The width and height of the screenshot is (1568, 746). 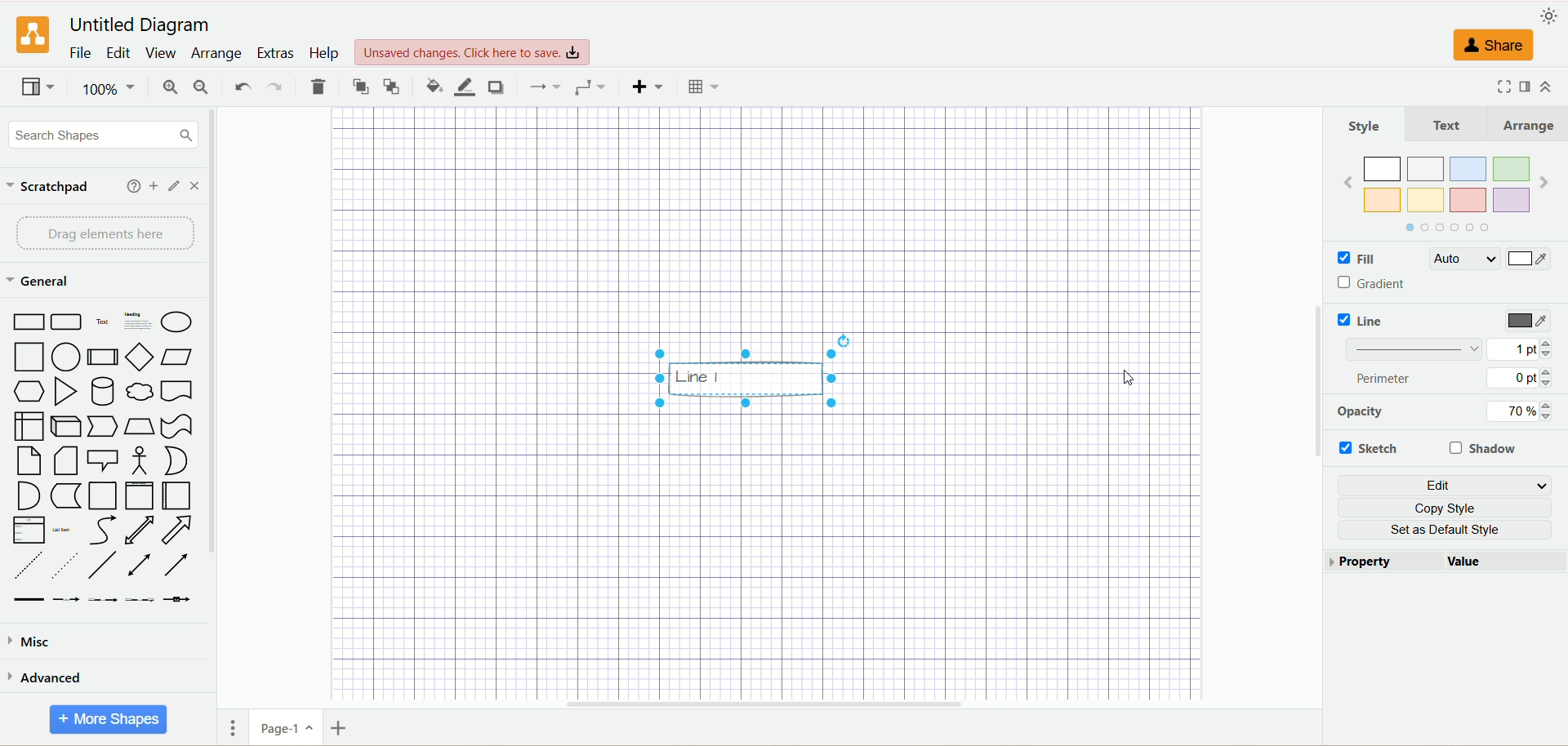 What do you see at coordinates (105, 427) in the screenshot?
I see `Step` at bounding box center [105, 427].